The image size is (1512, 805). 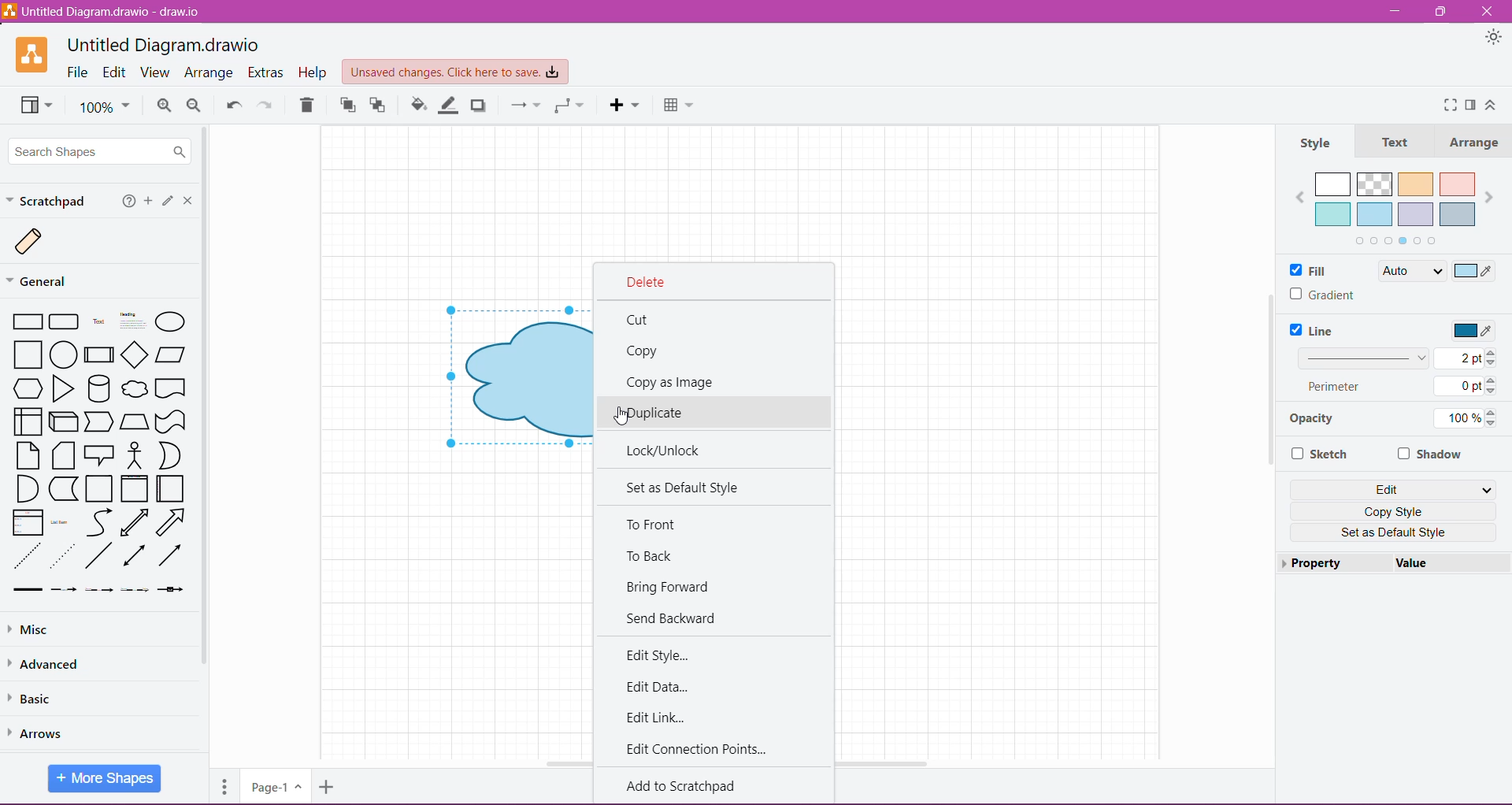 I want to click on Shadow, so click(x=1431, y=454).